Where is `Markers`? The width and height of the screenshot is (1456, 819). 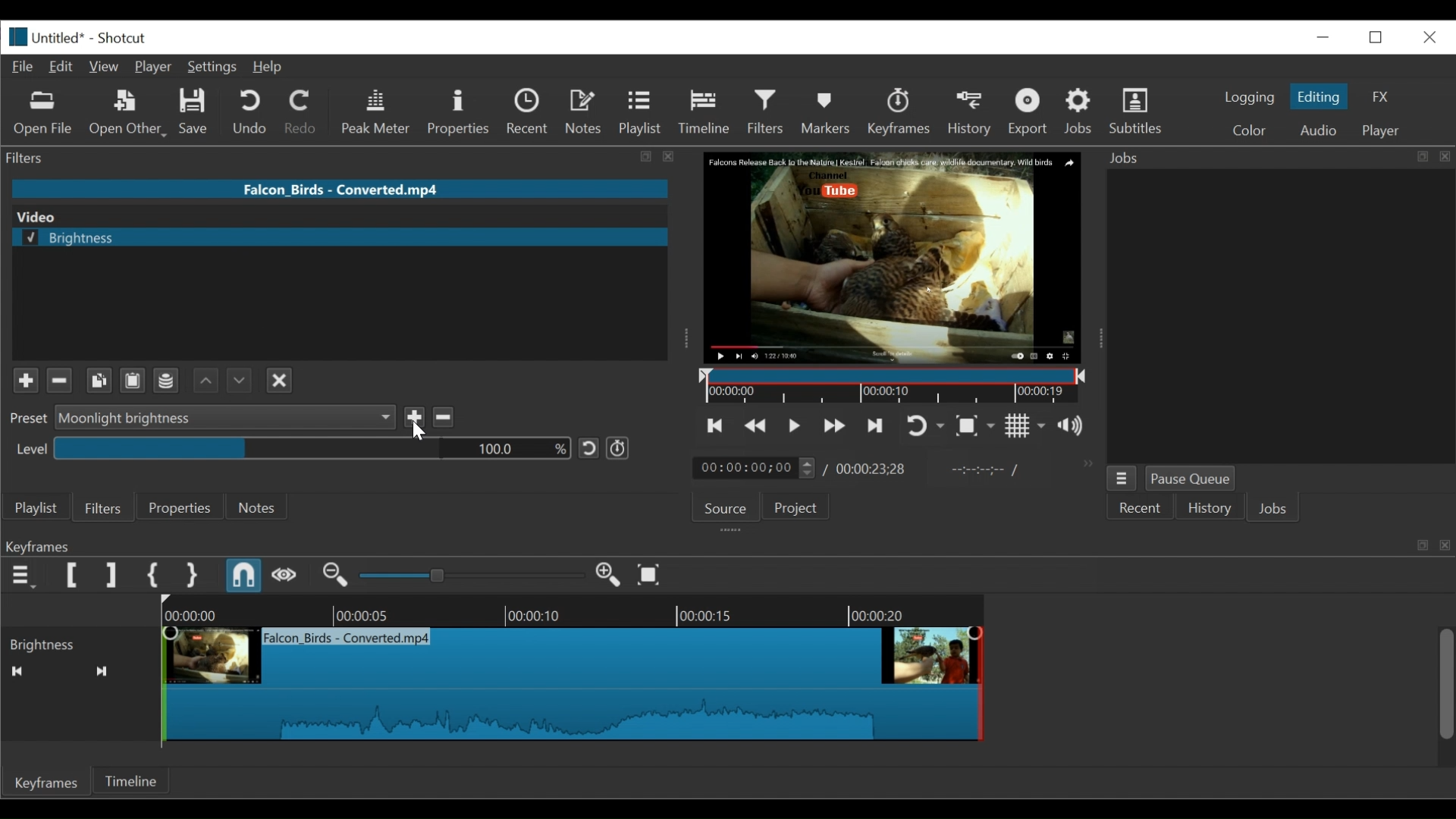 Markers is located at coordinates (827, 111).